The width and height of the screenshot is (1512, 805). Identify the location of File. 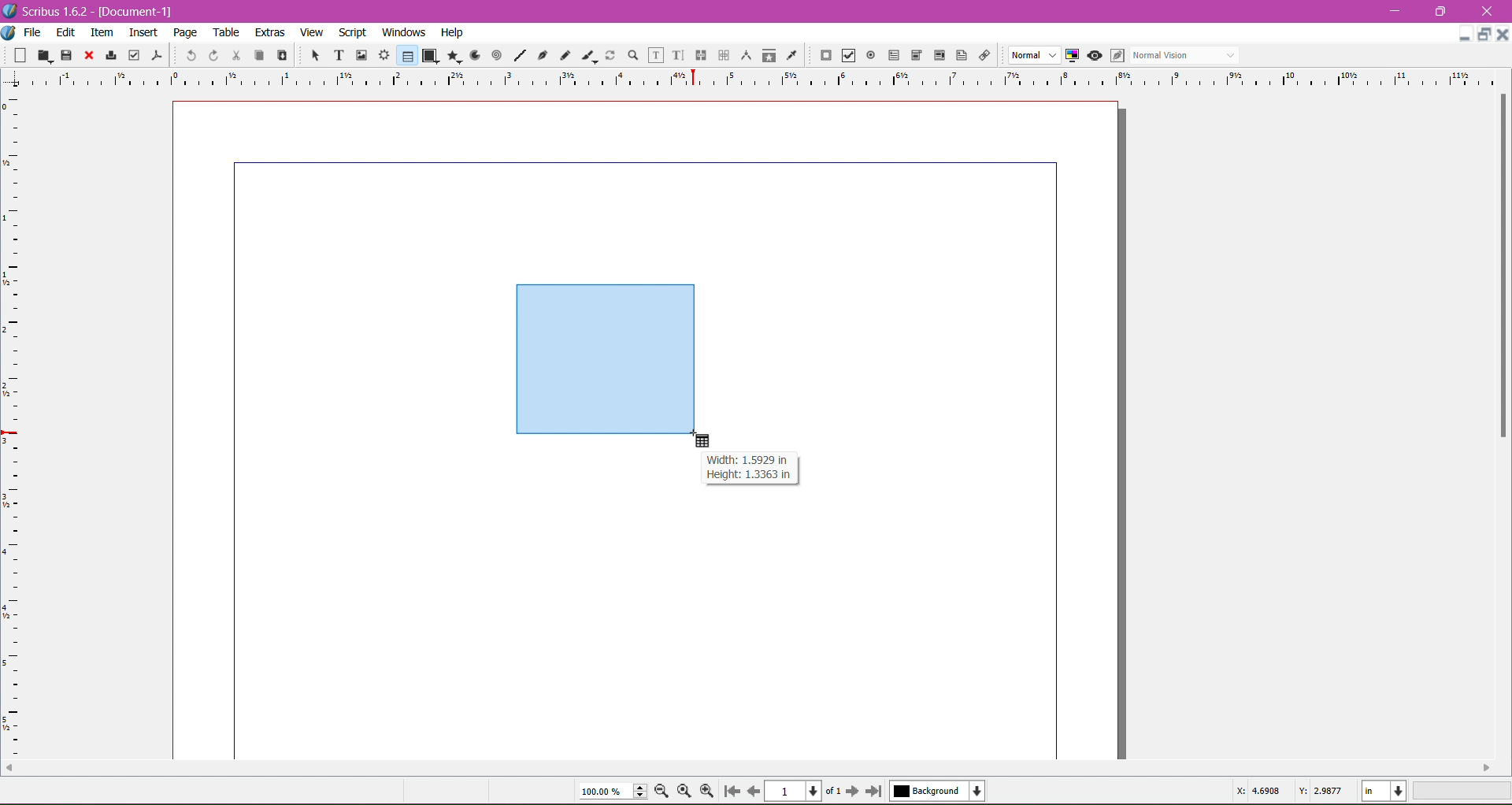
(32, 32).